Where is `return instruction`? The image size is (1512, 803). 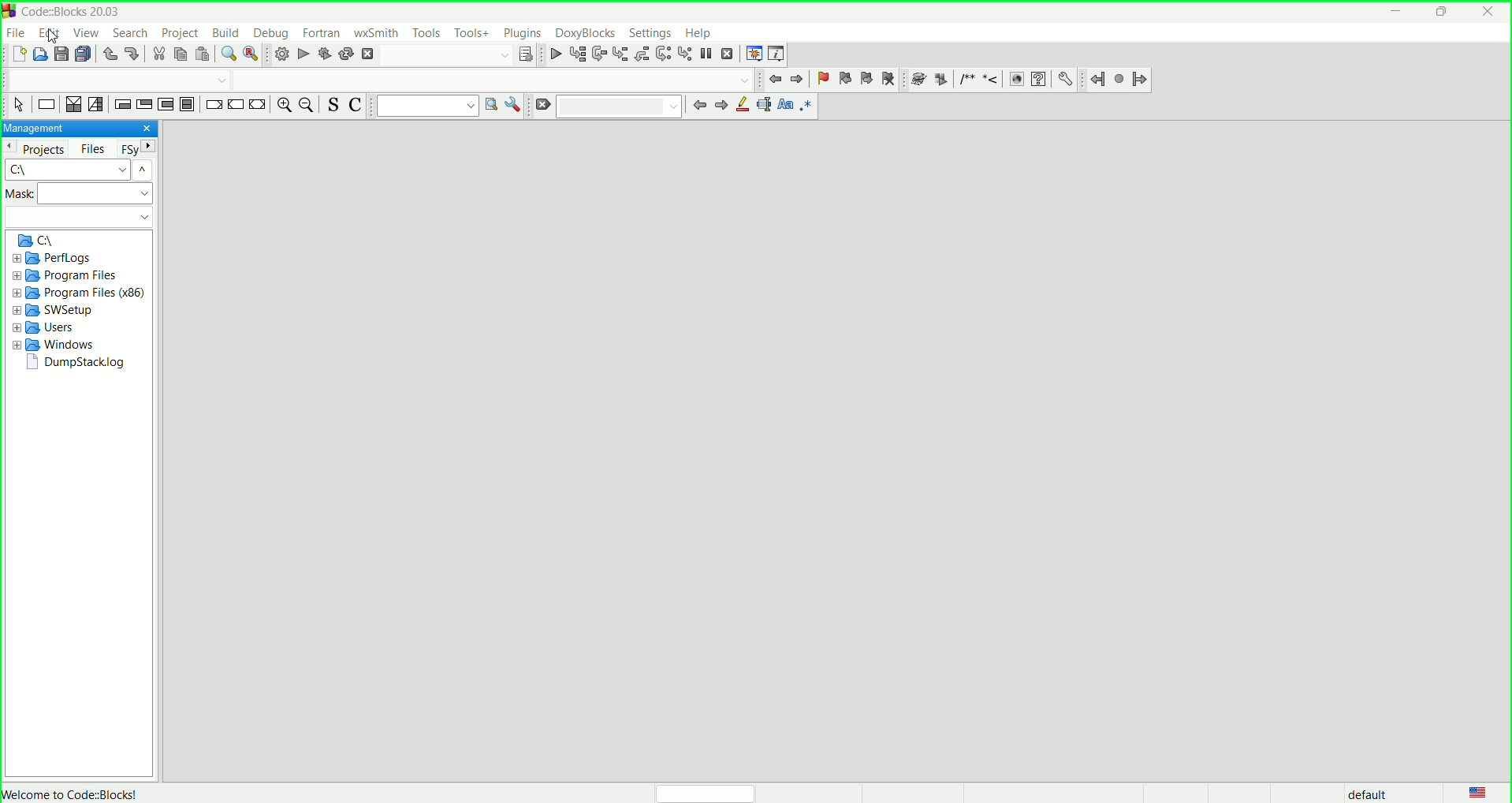 return instruction is located at coordinates (258, 104).